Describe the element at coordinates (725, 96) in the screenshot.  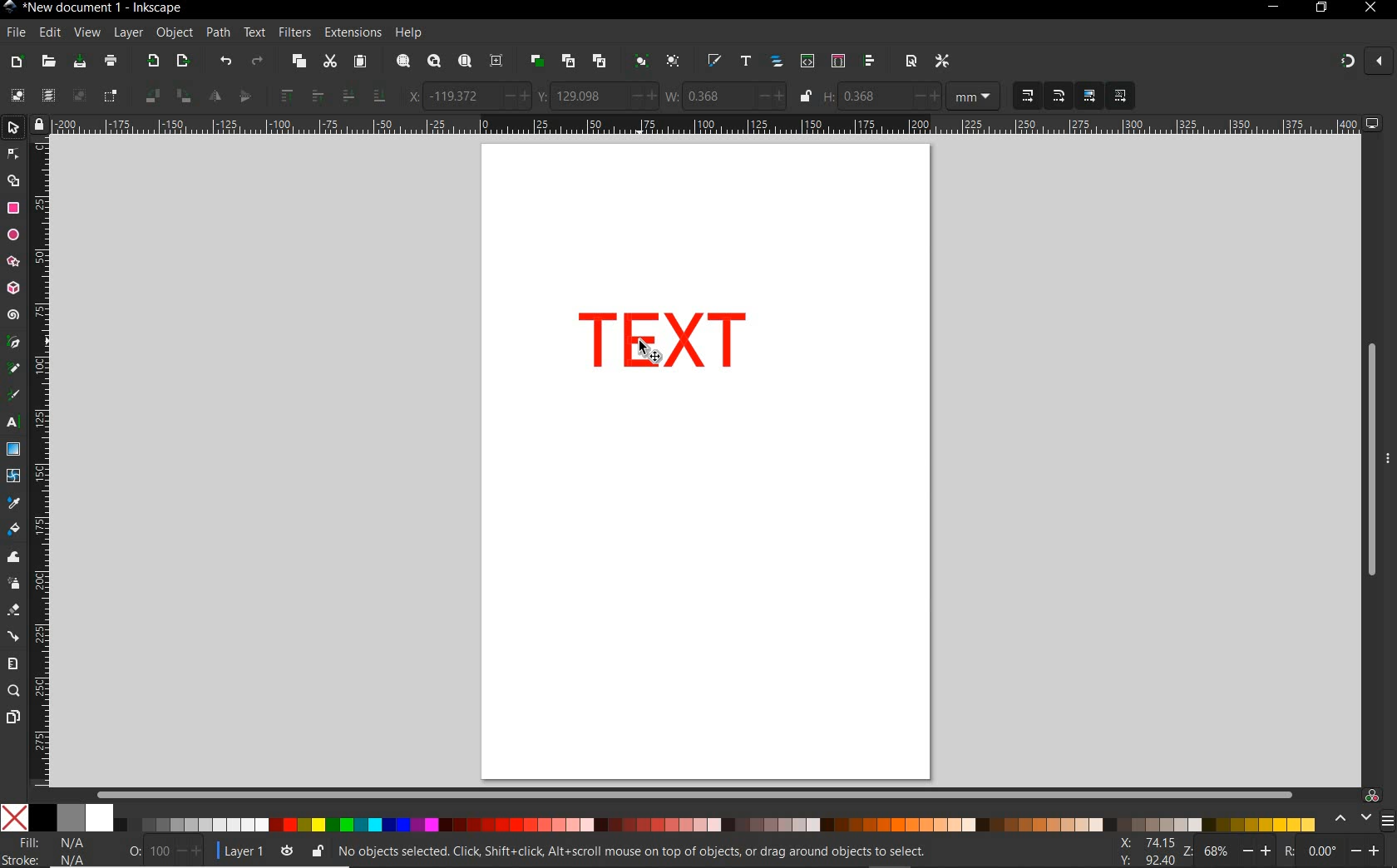
I see `WIDTH OF SELECTION` at that location.